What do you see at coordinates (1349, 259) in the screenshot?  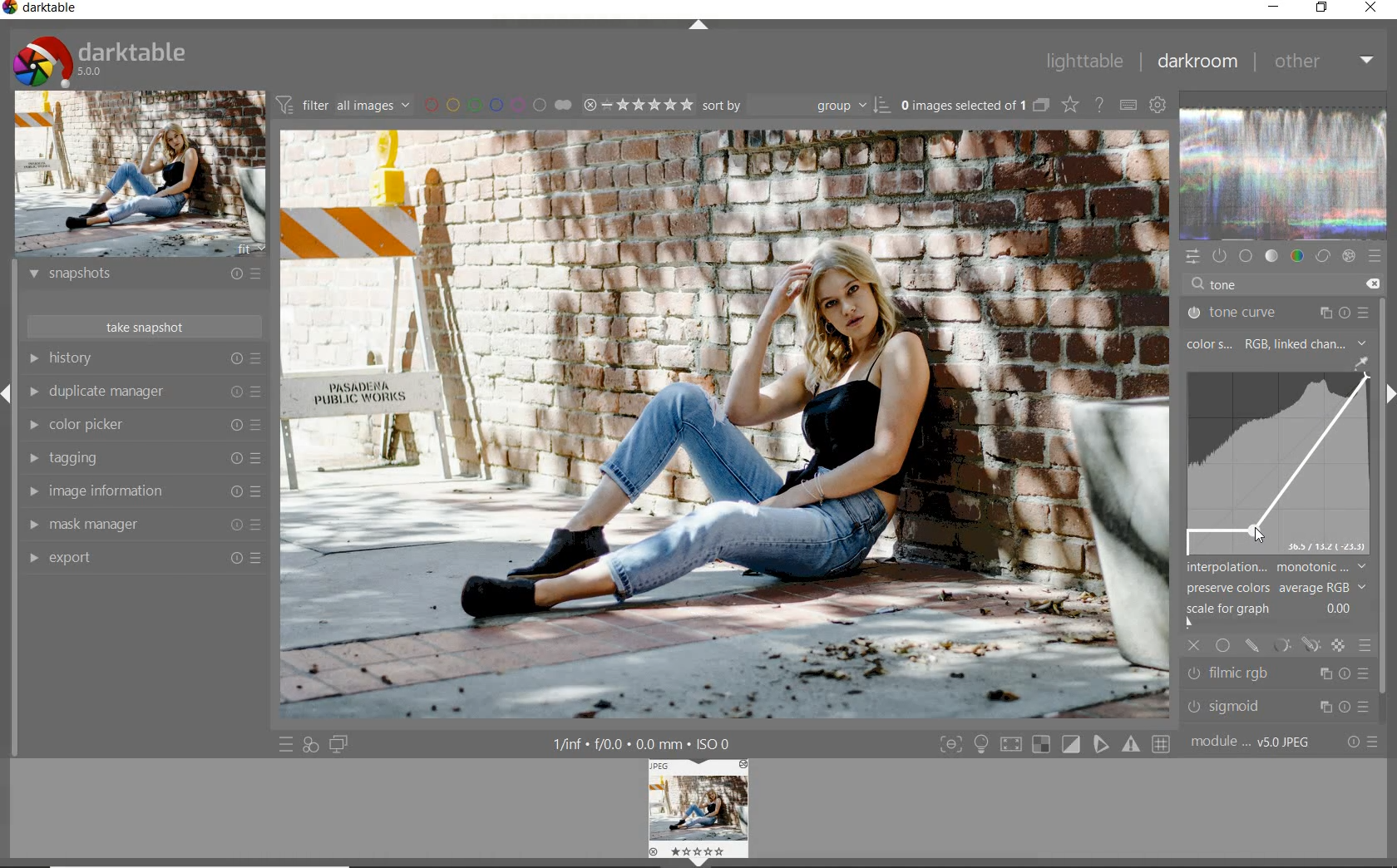 I see `effect` at bounding box center [1349, 259].